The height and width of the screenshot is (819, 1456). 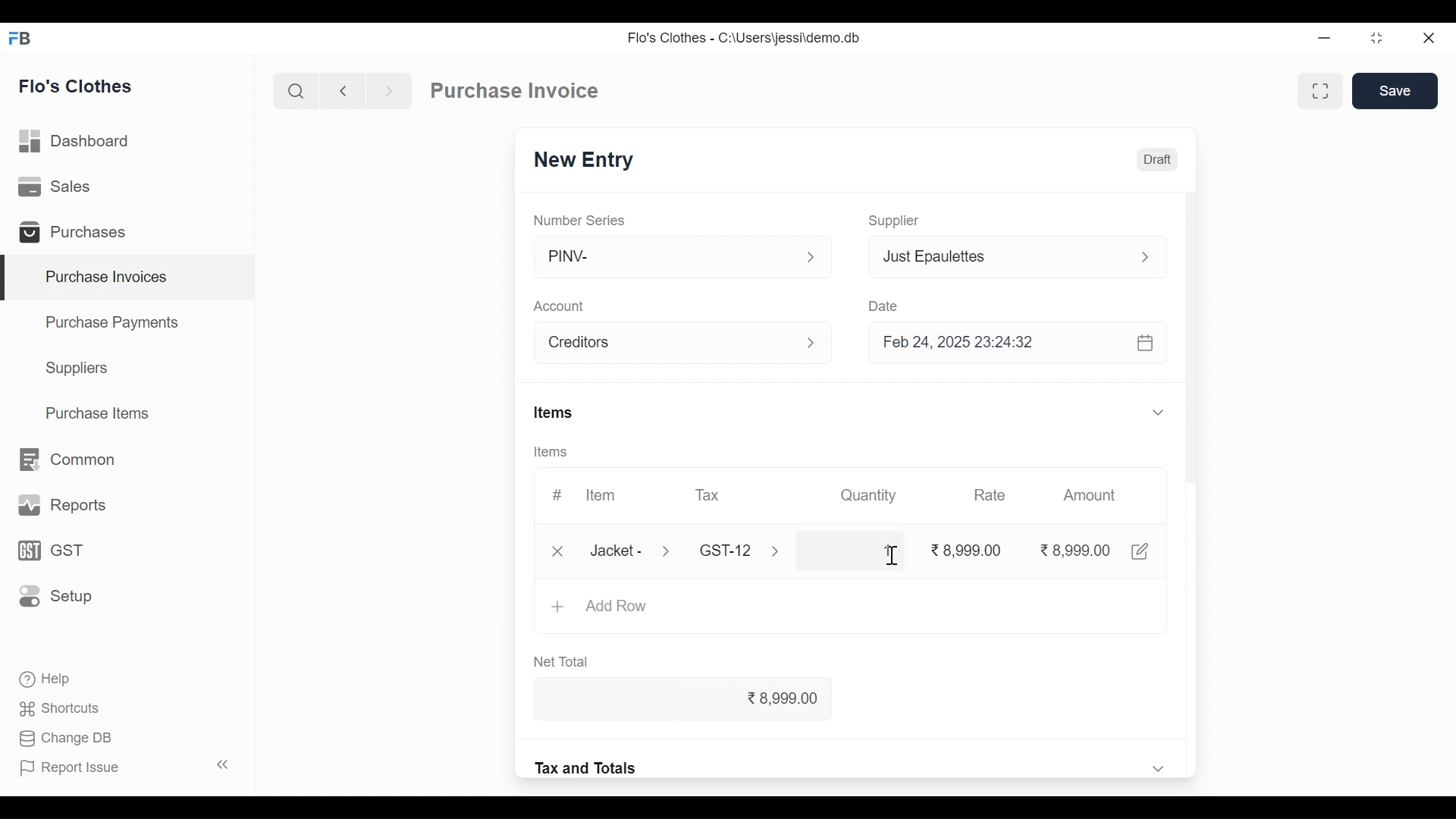 I want to click on Expand, so click(x=1158, y=767).